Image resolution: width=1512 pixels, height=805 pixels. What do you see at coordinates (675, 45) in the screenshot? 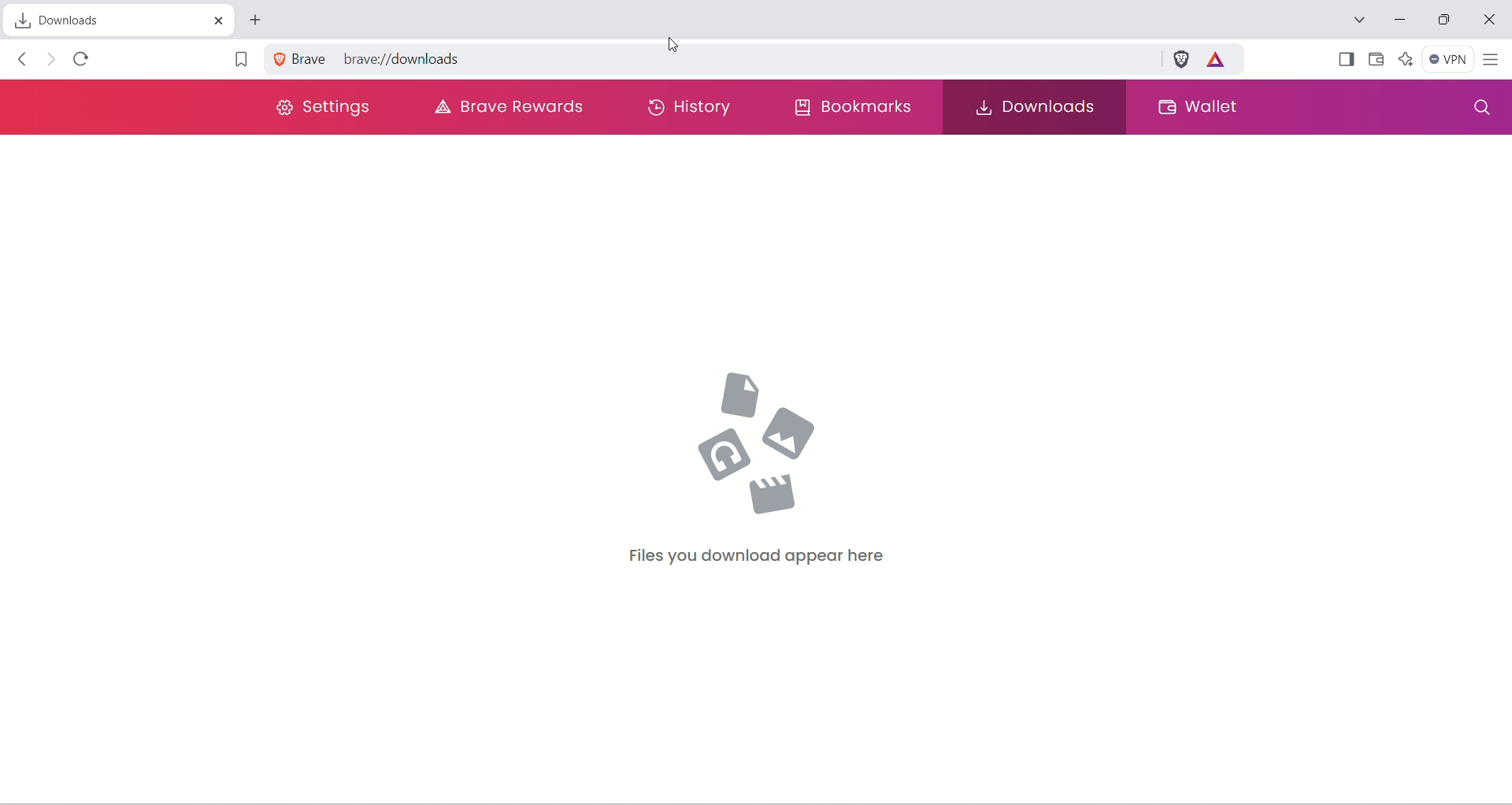
I see `cursor` at bounding box center [675, 45].